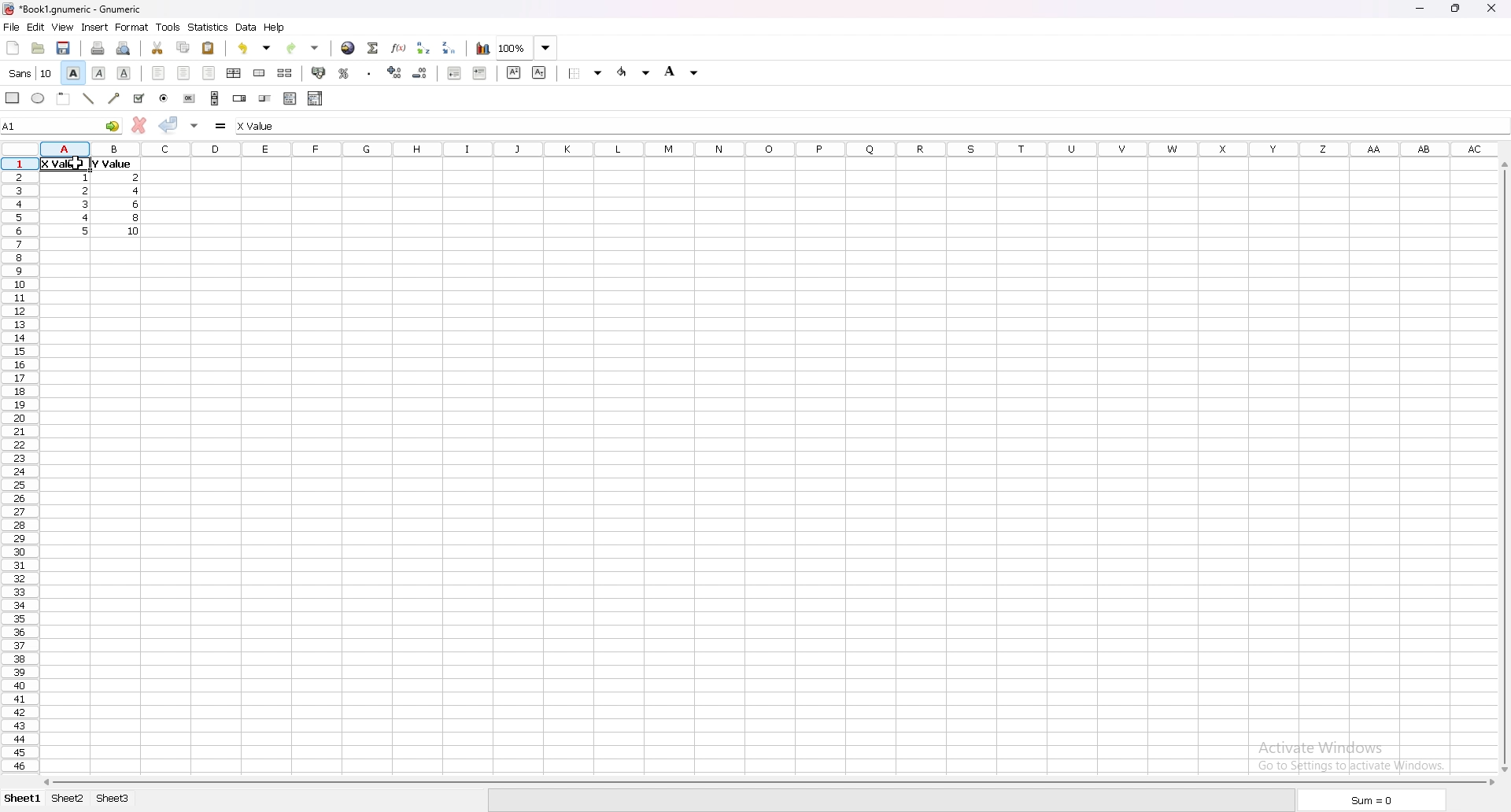  What do you see at coordinates (184, 72) in the screenshot?
I see `centre` at bounding box center [184, 72].